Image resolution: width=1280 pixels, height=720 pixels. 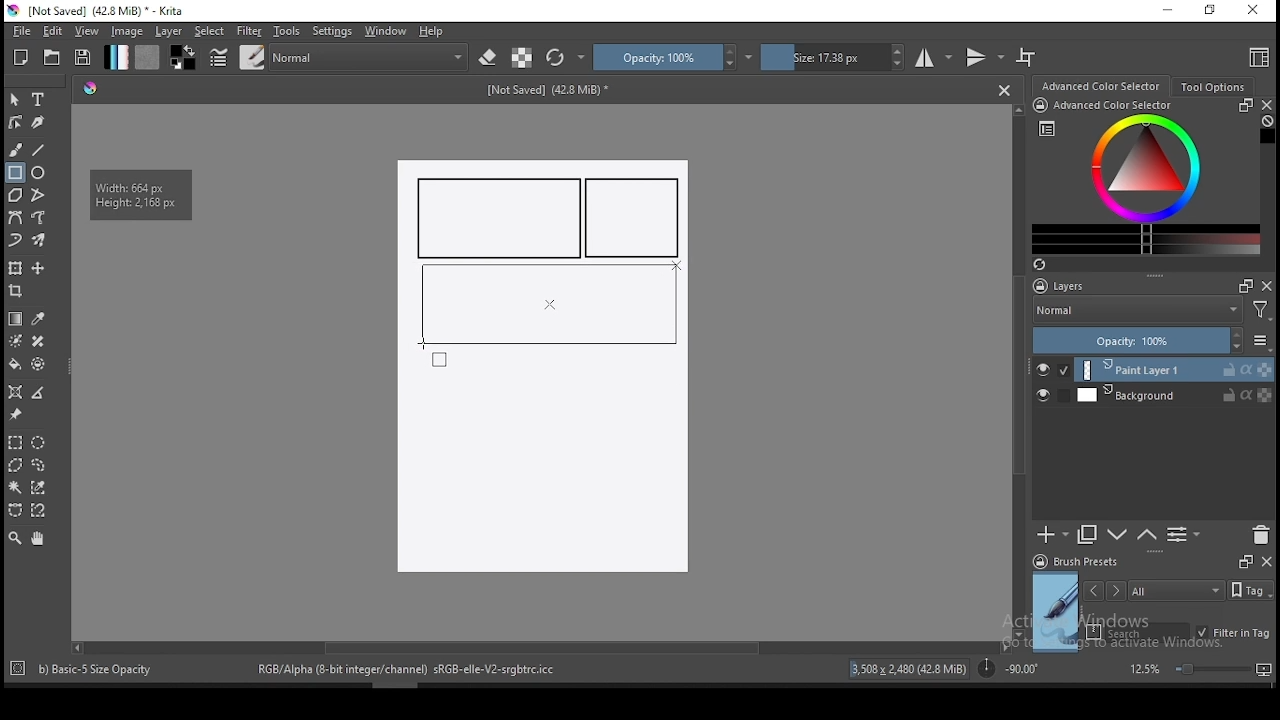 What do you see at coordinates (1056, 612) in the screenshot?
I see `preview` at bounding box center [1056, 612].